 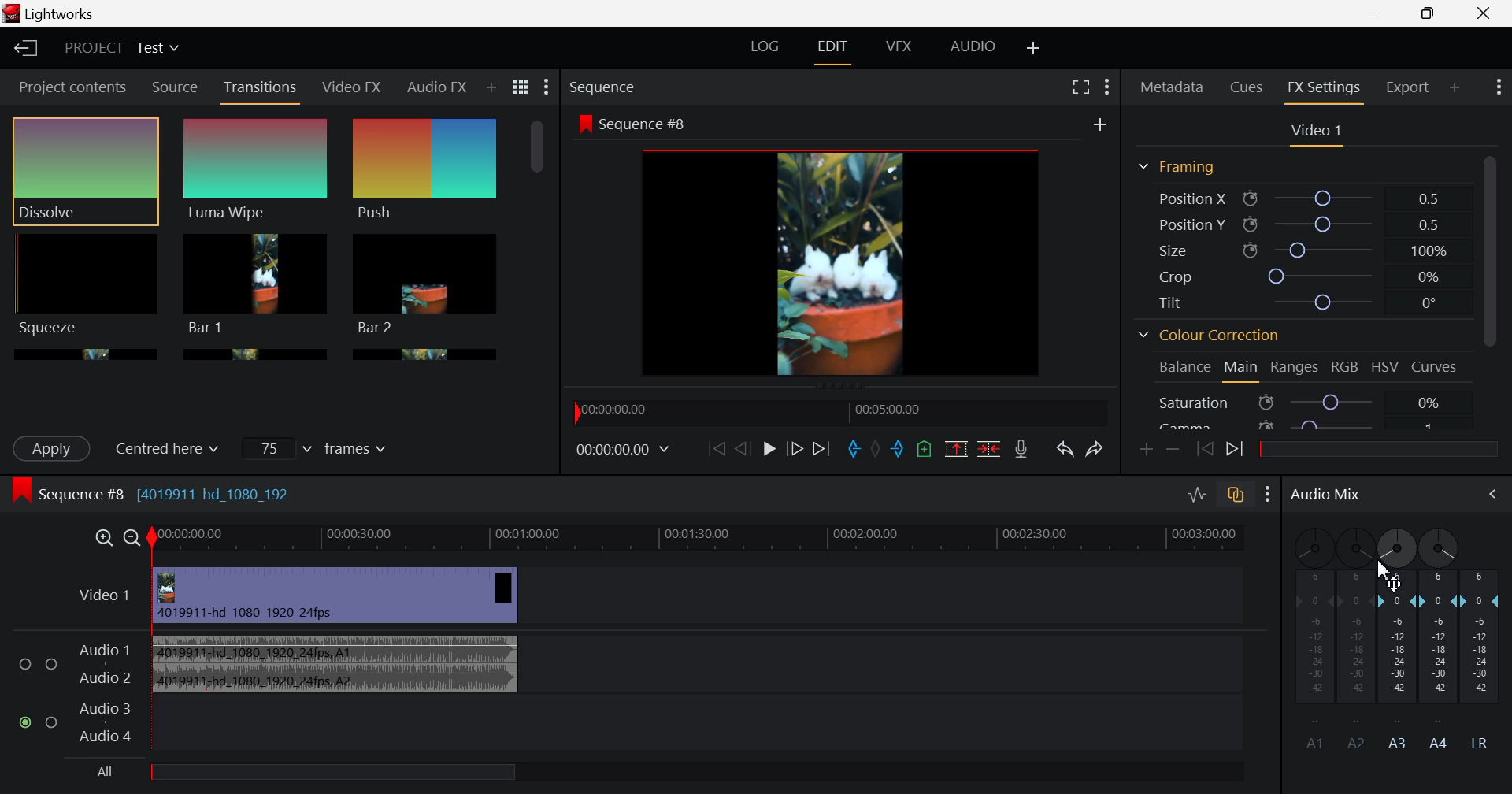 I want to click on A4 Channel Decibel Level, so click(x=1441, y=665).